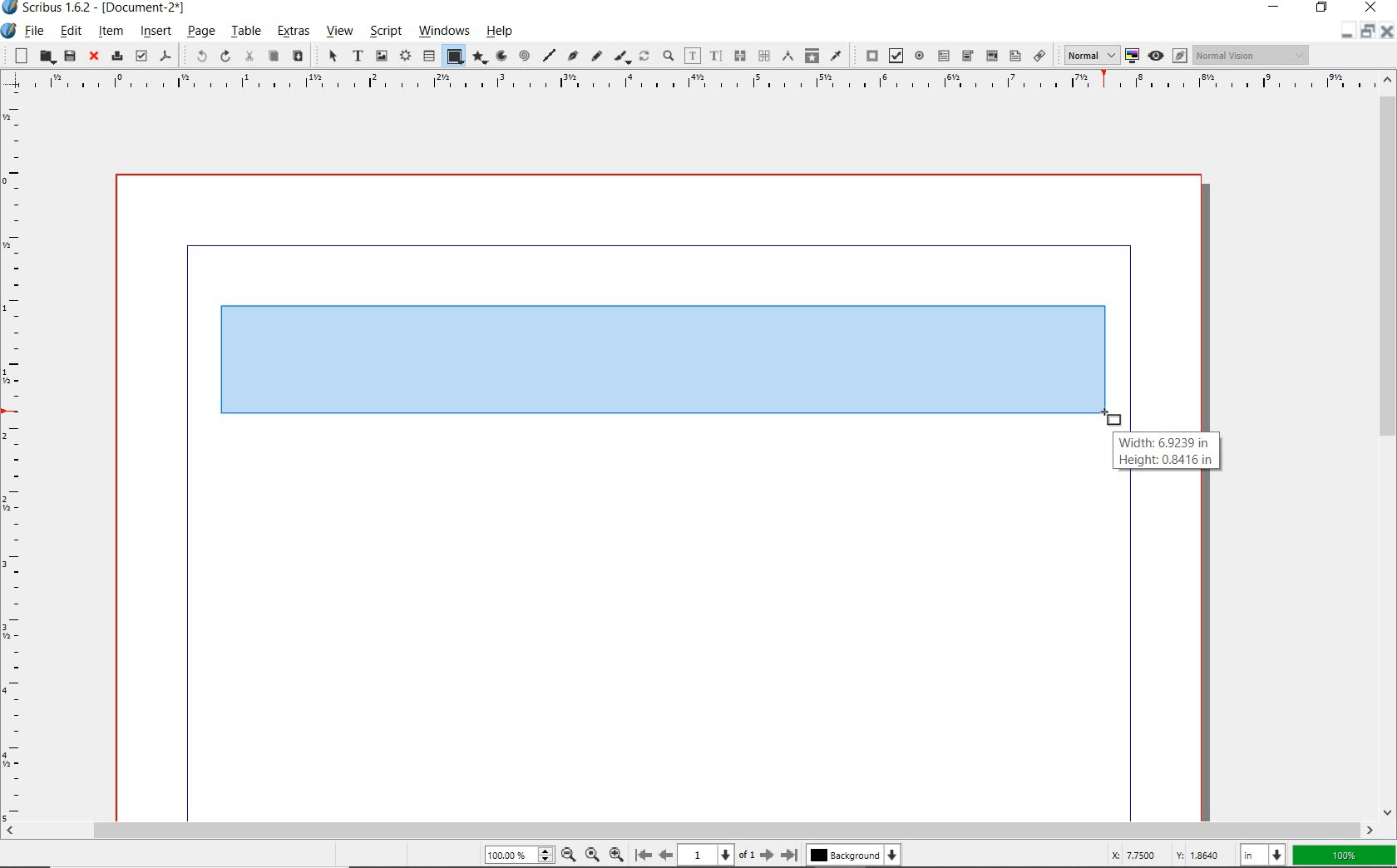 Image resolution: width=1397 pixels, height=868 pixels. Describe the element at coordinates (196, 57) in the screenshot. I see `undo` at that location.